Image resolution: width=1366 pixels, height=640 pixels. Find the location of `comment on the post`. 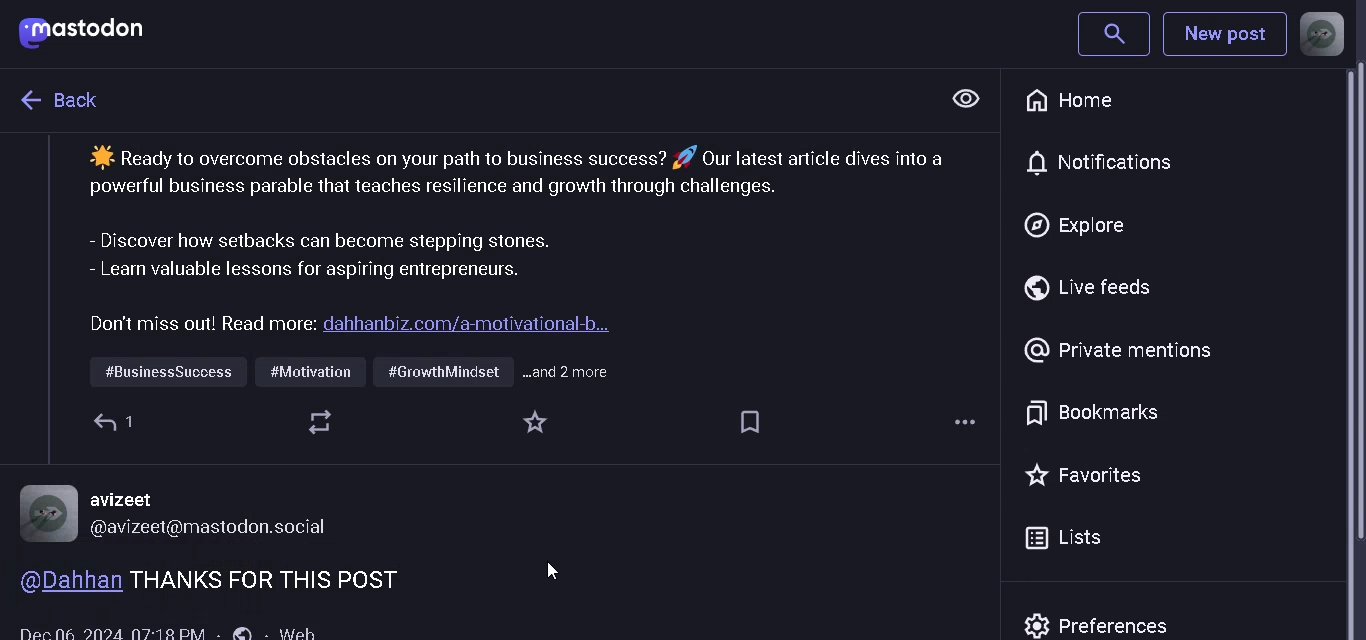

comment on the post is located at coordinates (279, 579).